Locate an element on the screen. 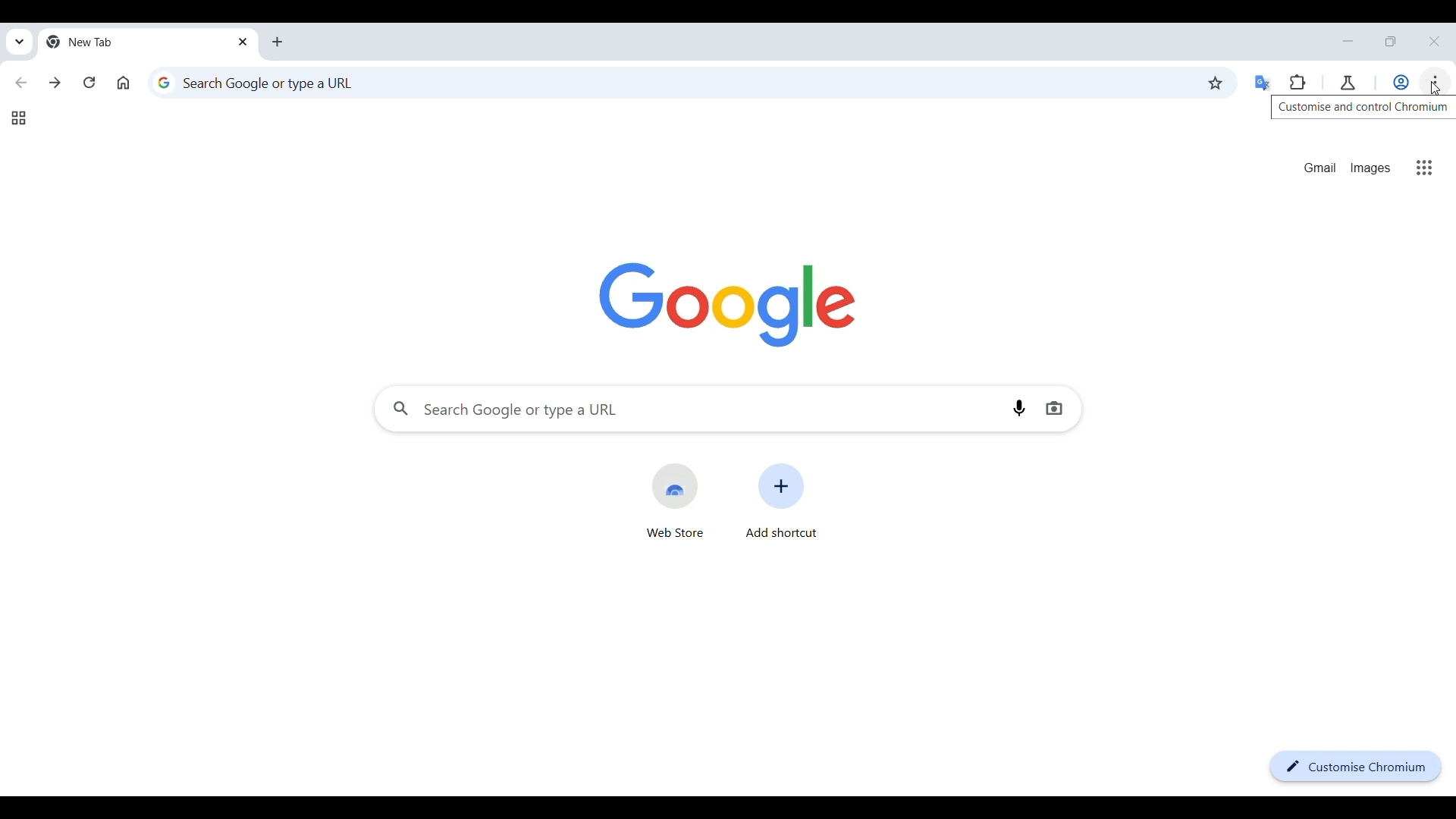 The height and width of the screenshot is (819, 1456). Close interface is located at coordinates (1435, 41).